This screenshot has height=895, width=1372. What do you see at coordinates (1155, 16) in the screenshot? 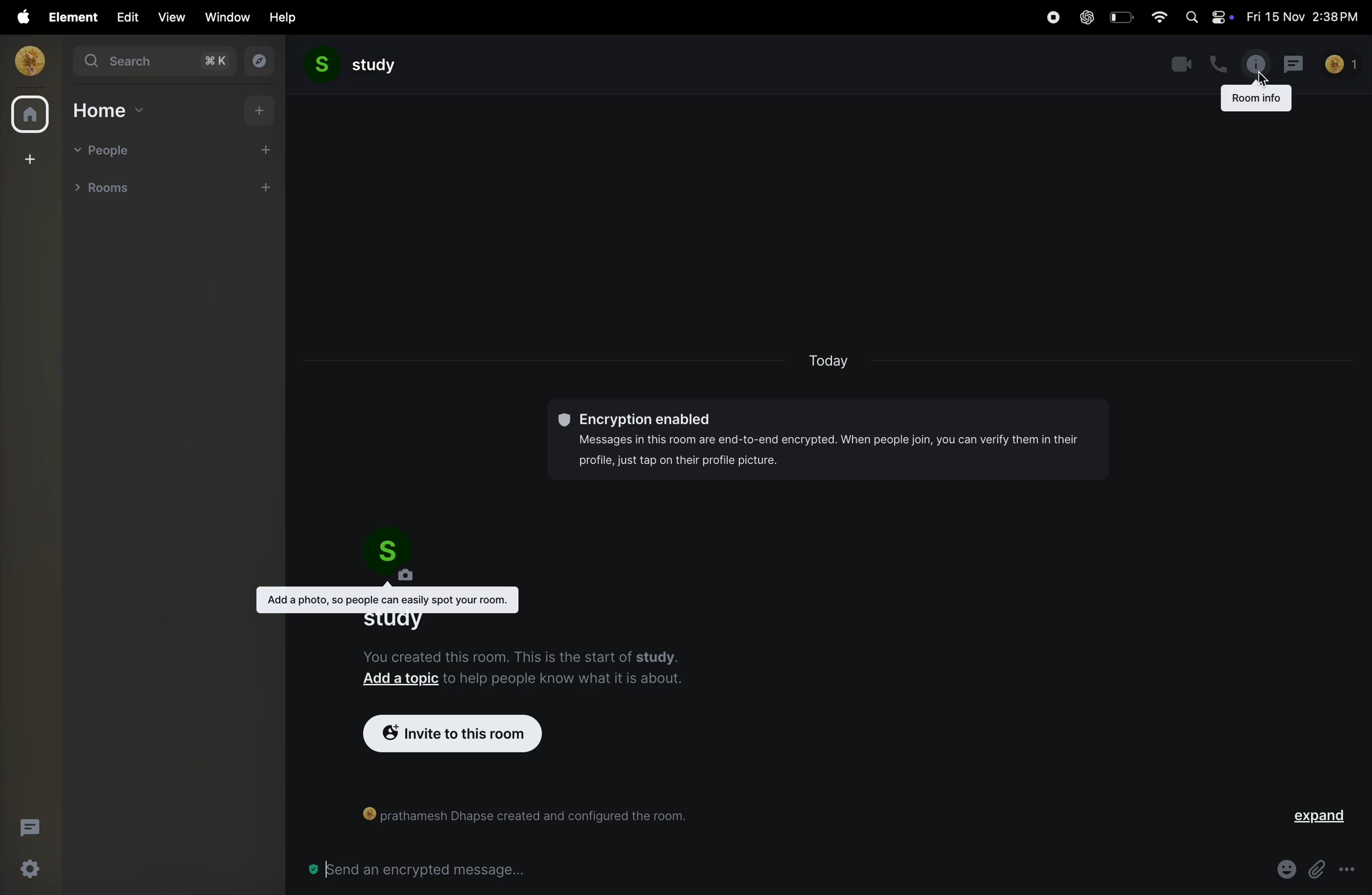
I see `wifi` at bounding box center [1155, 16].